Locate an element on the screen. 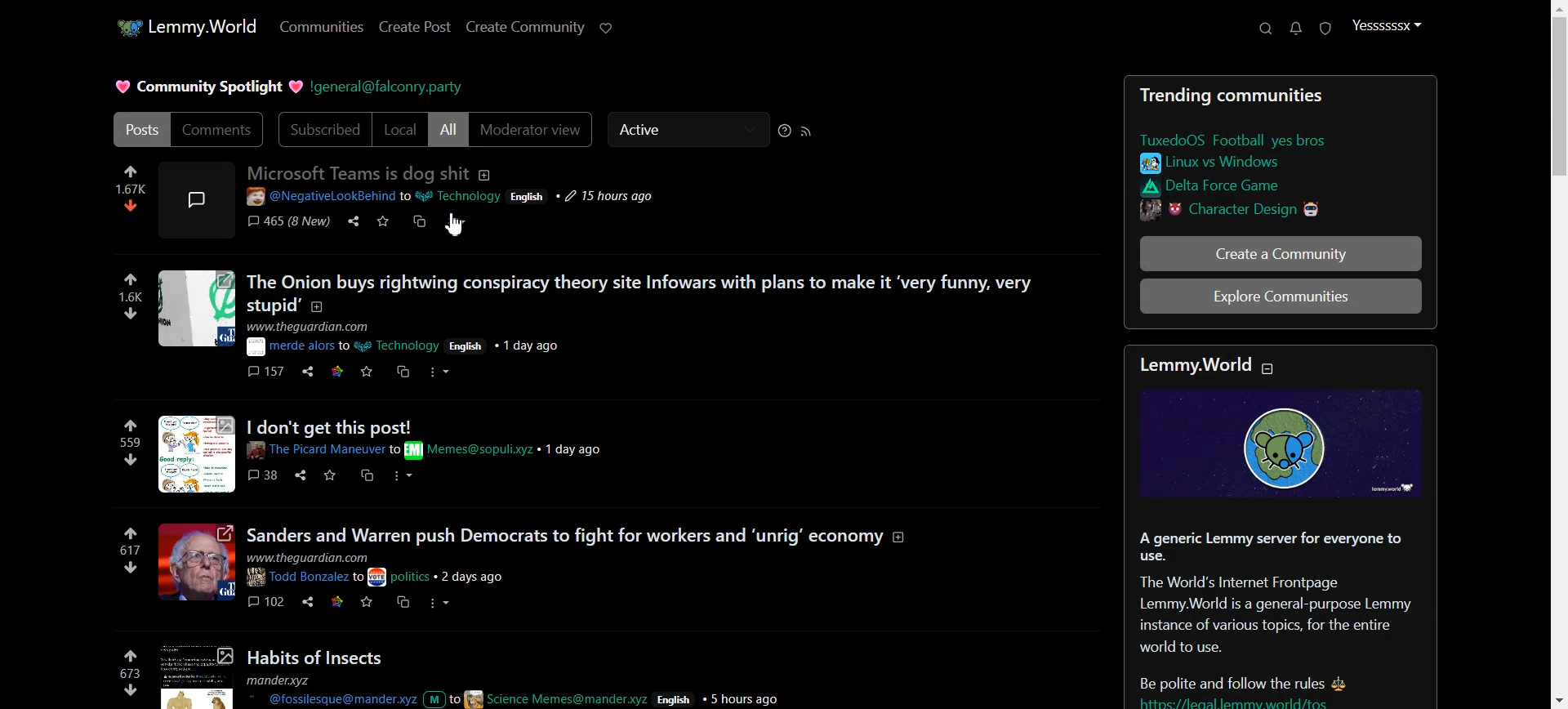 This screenshot has height=709, width=1568. more is located at coordinates (443, 603).